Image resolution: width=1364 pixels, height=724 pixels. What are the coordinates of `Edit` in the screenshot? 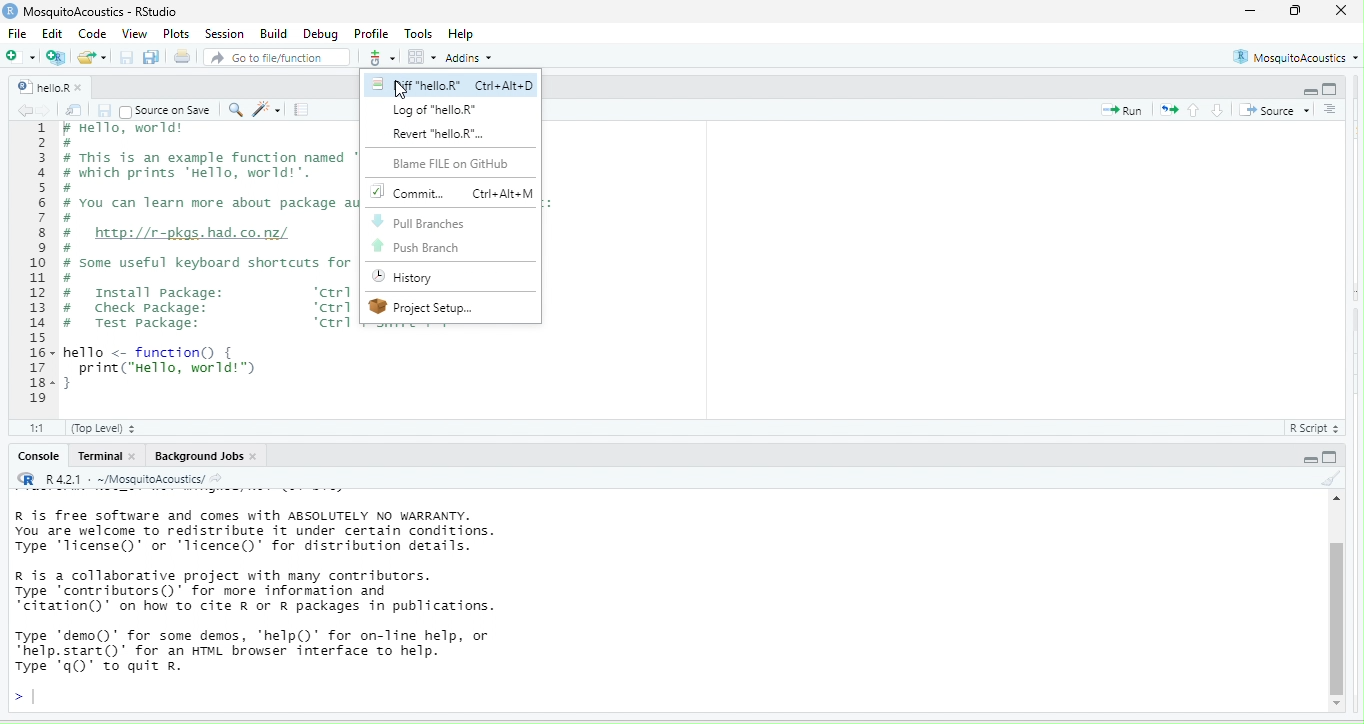 It's located at (53, 34).